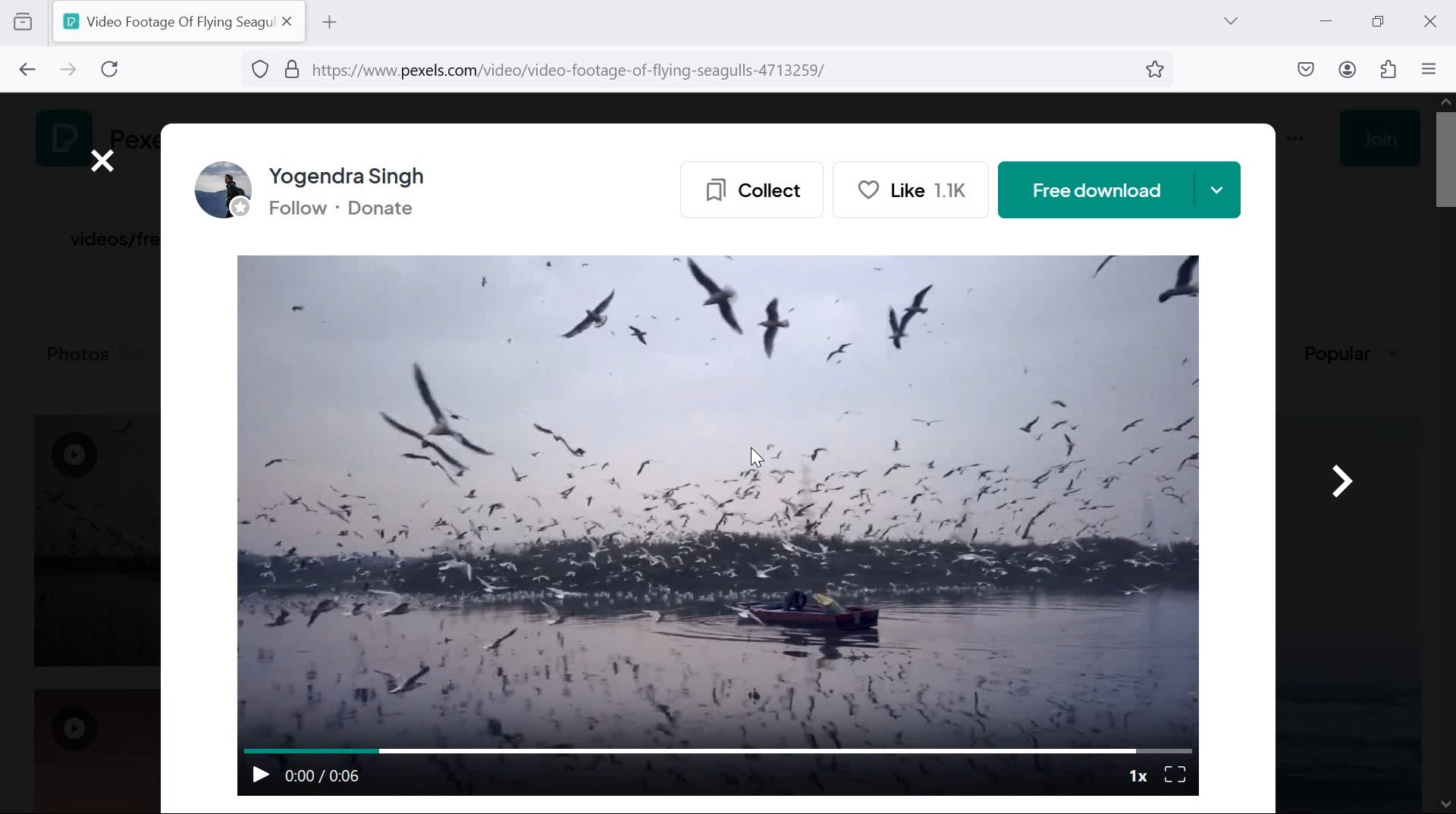  What do you see at coordinates (723, 496) in the screenshot?
I see `video screen` at bounding box center [723, 496].